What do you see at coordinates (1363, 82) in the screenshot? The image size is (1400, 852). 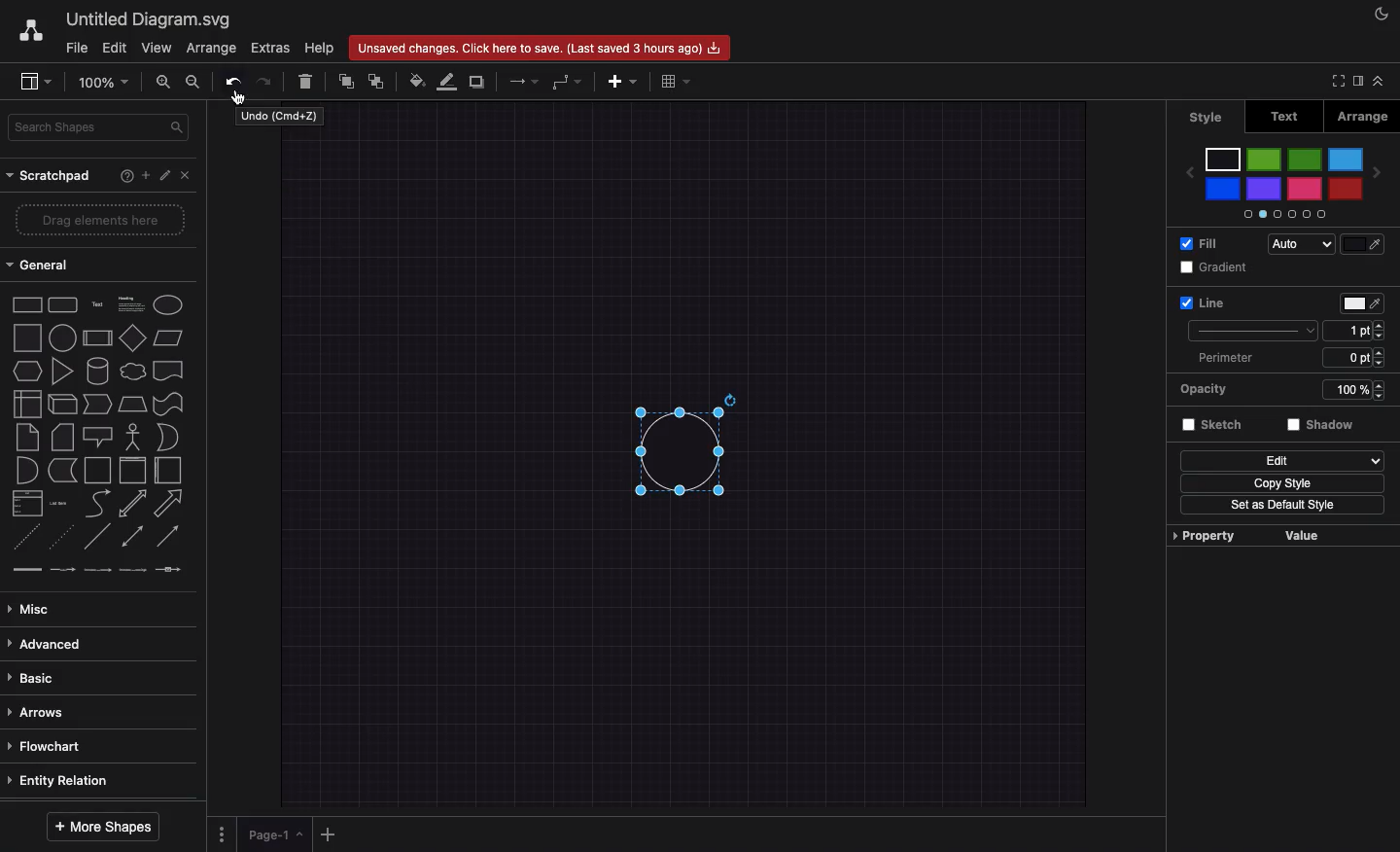 I see `Sidebar` at bounding box center [1363, 82].